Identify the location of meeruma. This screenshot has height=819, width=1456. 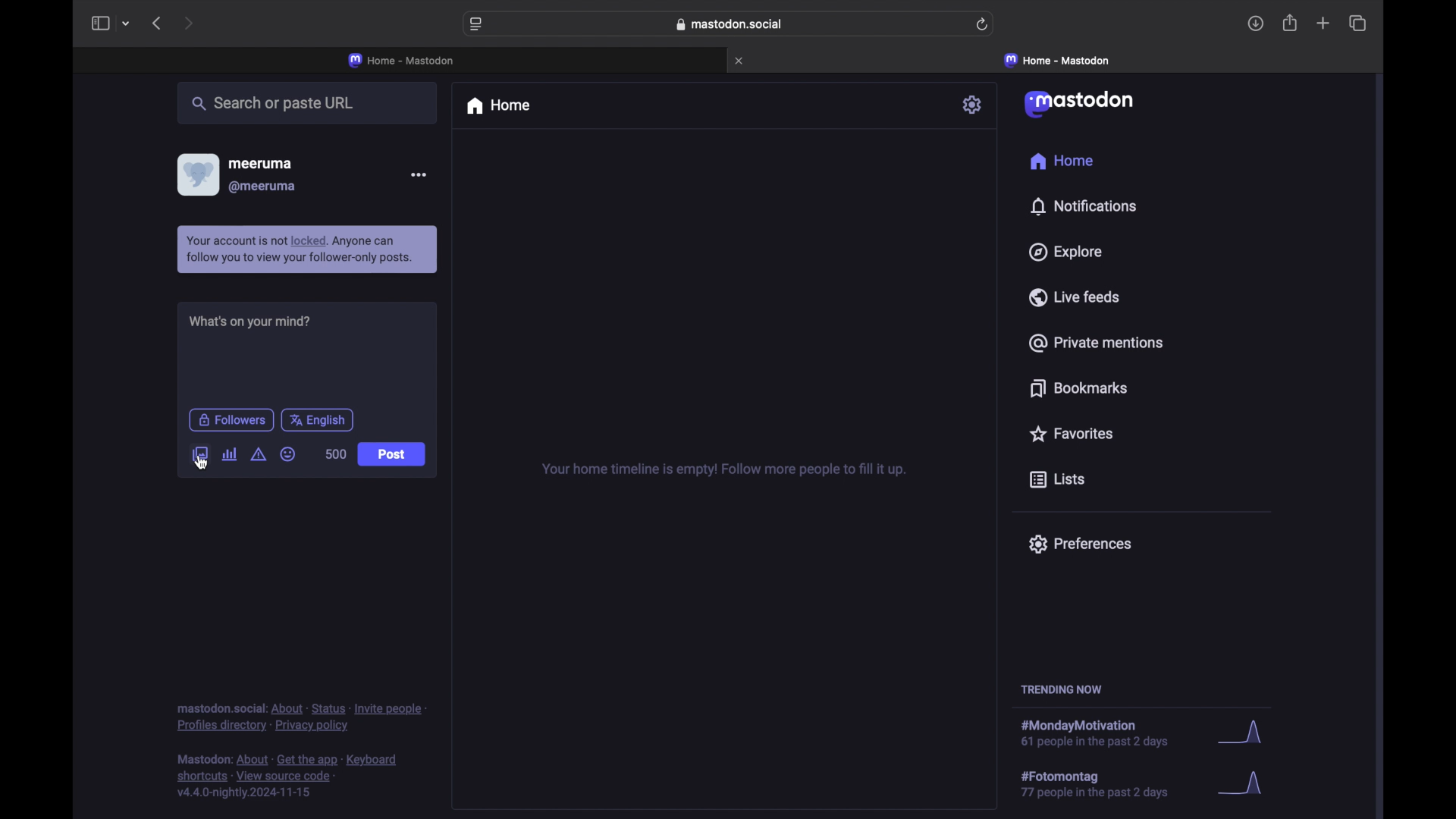
(264, 164).